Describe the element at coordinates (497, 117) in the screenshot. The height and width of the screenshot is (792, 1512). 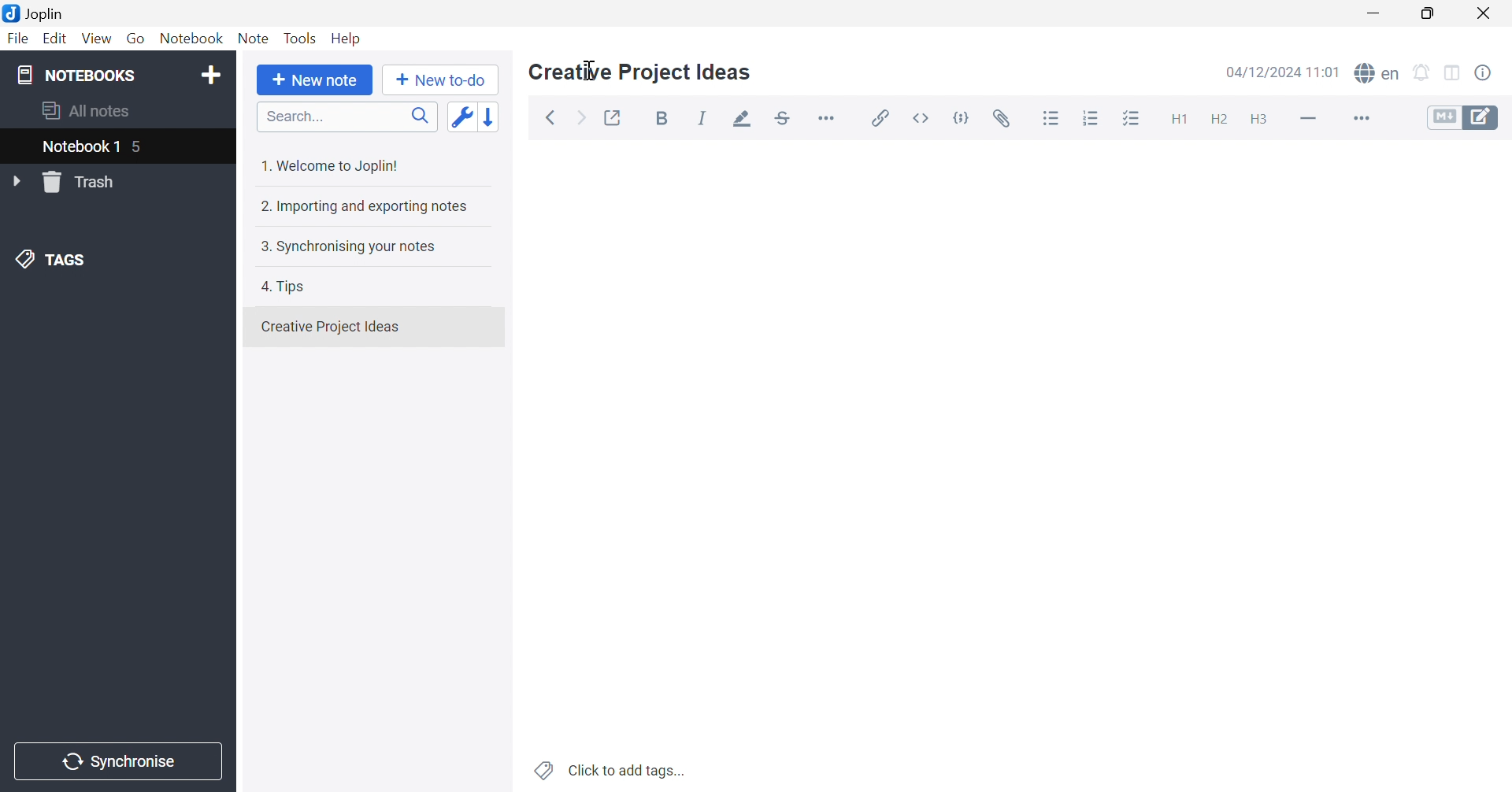
I see `Reverse sort order` at that location.